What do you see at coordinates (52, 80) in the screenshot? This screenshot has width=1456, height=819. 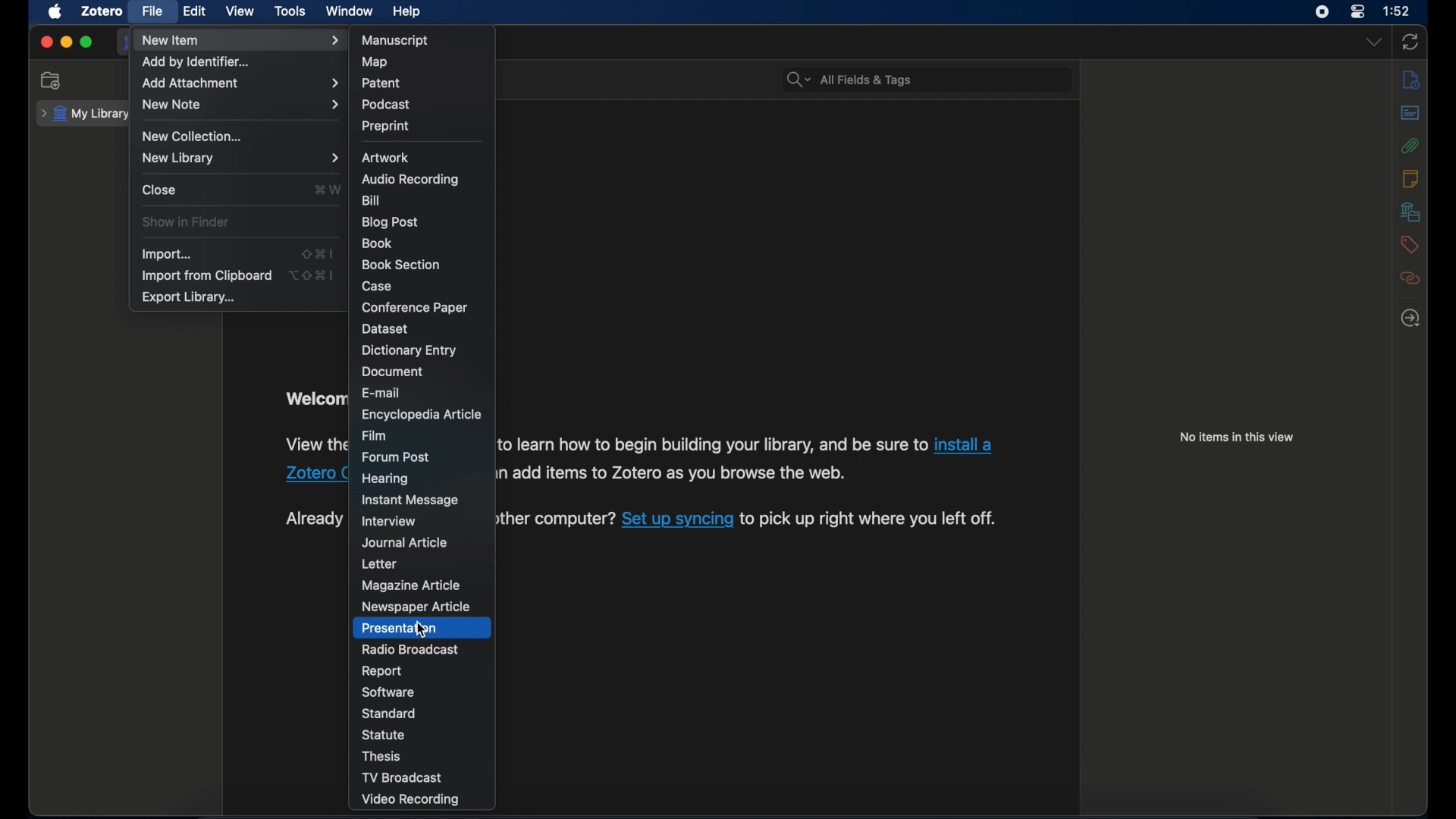 I see `new collection` at bounding box center [52, 80].